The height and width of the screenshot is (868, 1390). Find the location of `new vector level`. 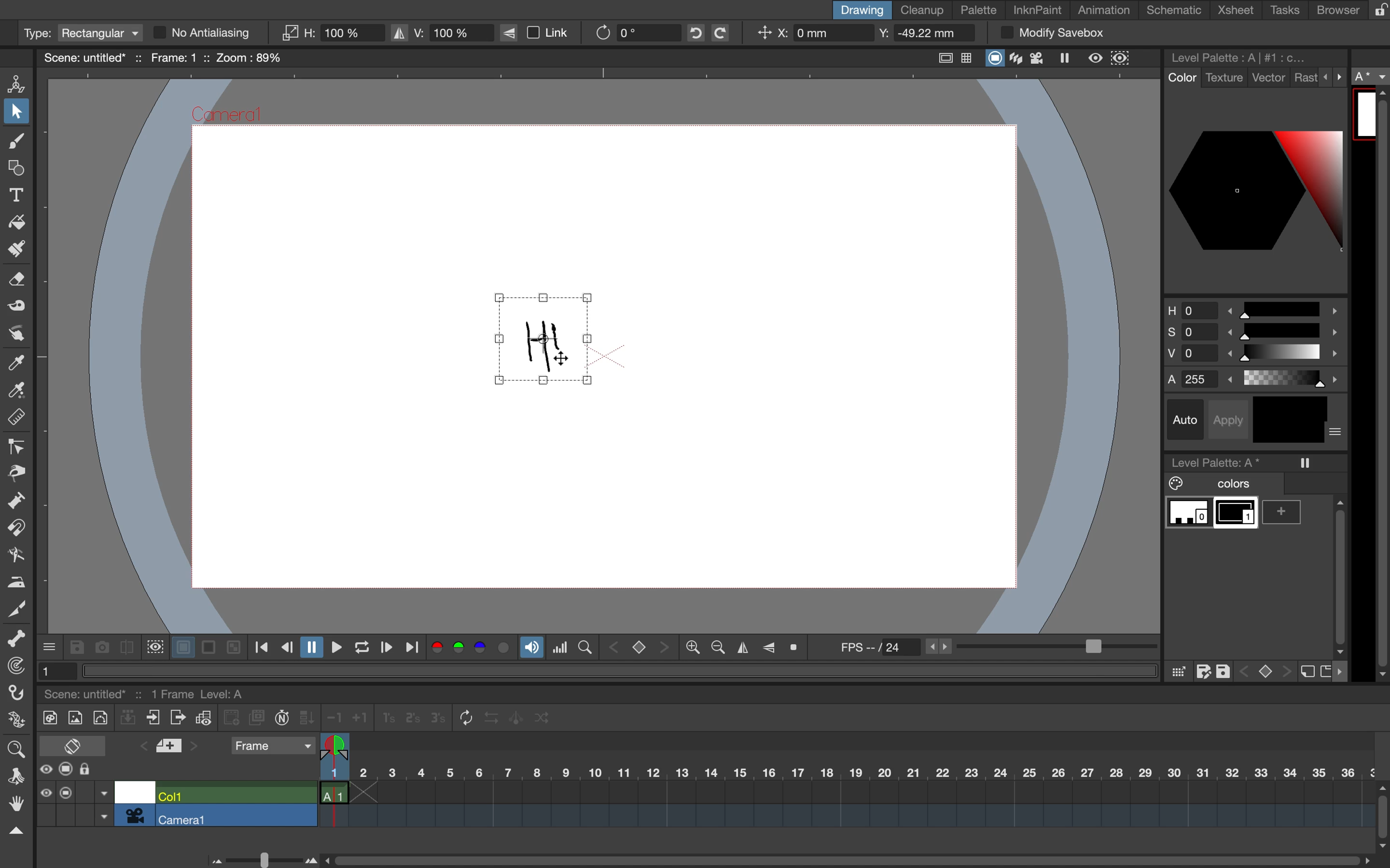

new vector level is located at coordinates (100, 716).